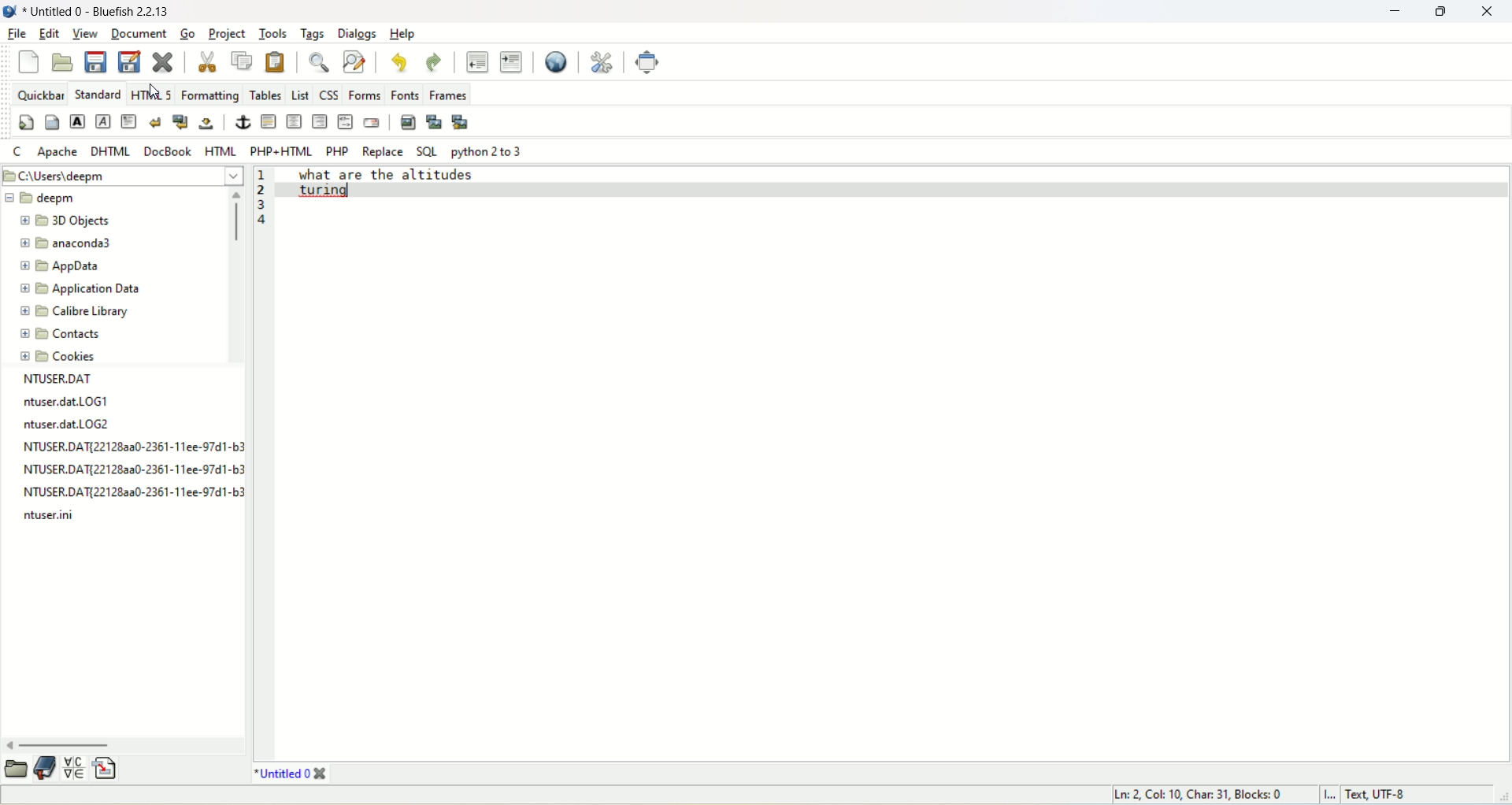  Describe the element at coordinates (122, 176) in the screenshot. I see `location` at that location.